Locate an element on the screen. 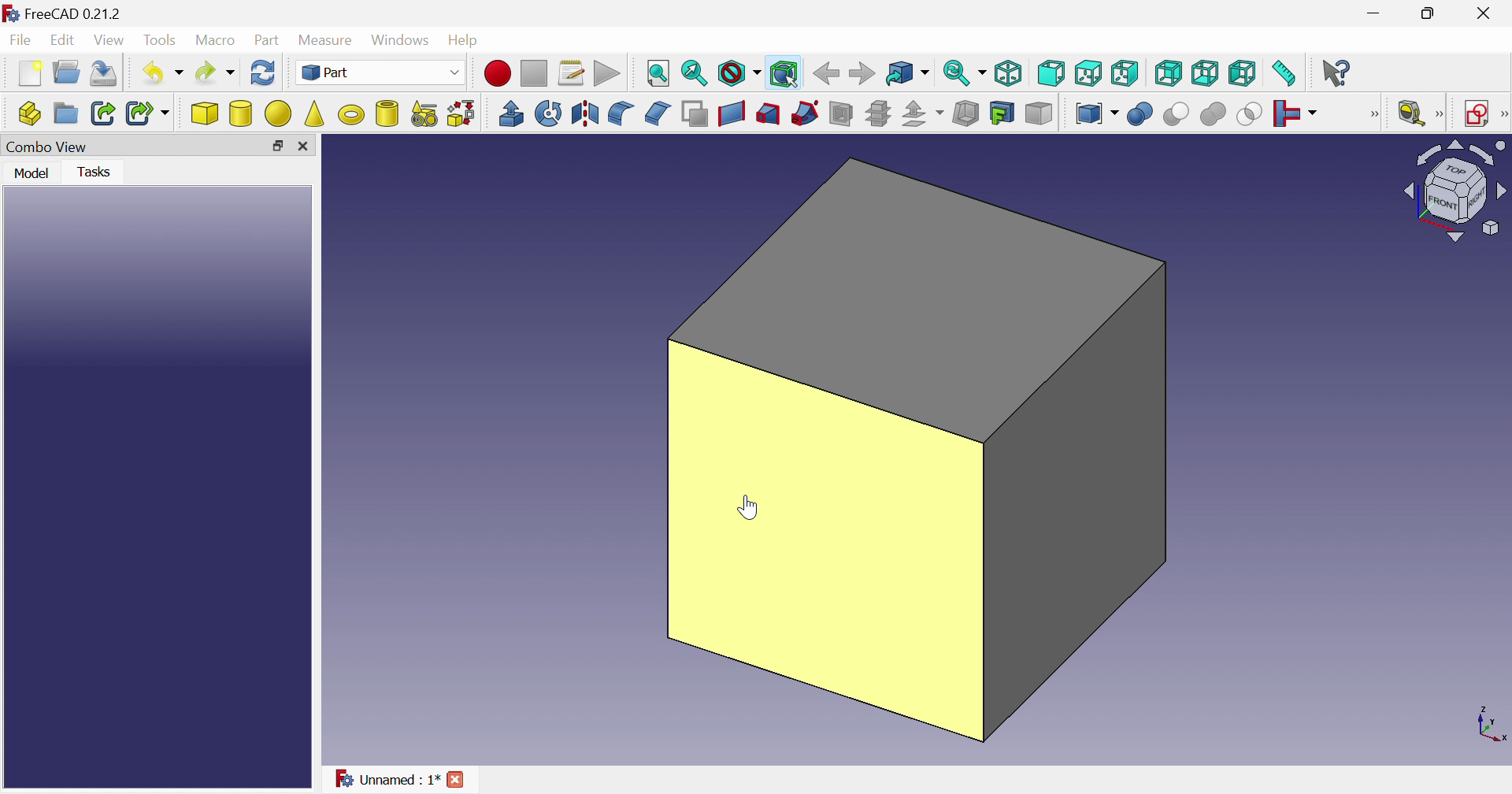 This screenshot has height=794, width=1512. Sweep... is located at coordinates (805, 113).